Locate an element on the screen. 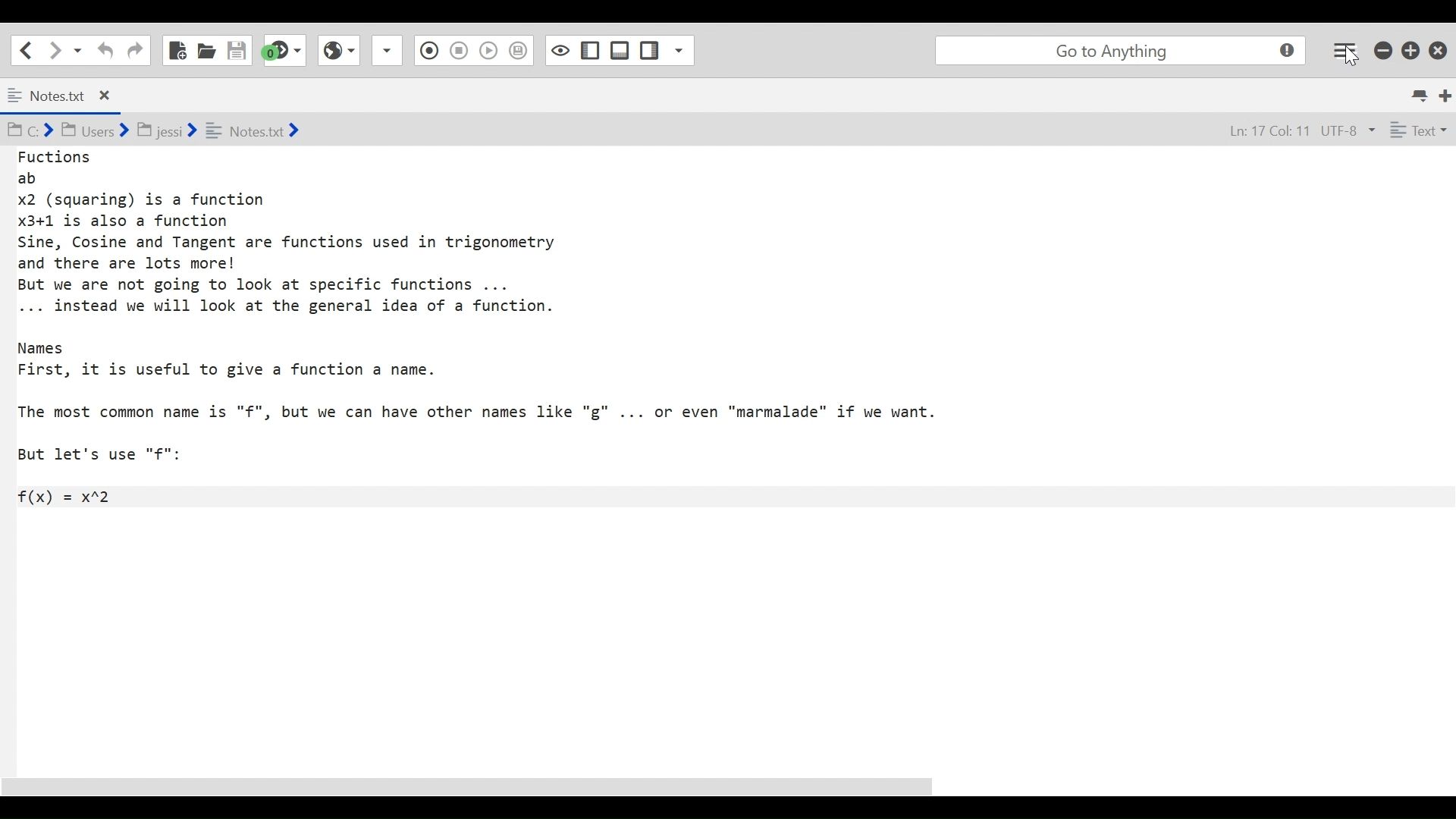 Image resolution: width=1456 pixels, height=819 pixels. Recent locations is located at coordinates (78, 49).